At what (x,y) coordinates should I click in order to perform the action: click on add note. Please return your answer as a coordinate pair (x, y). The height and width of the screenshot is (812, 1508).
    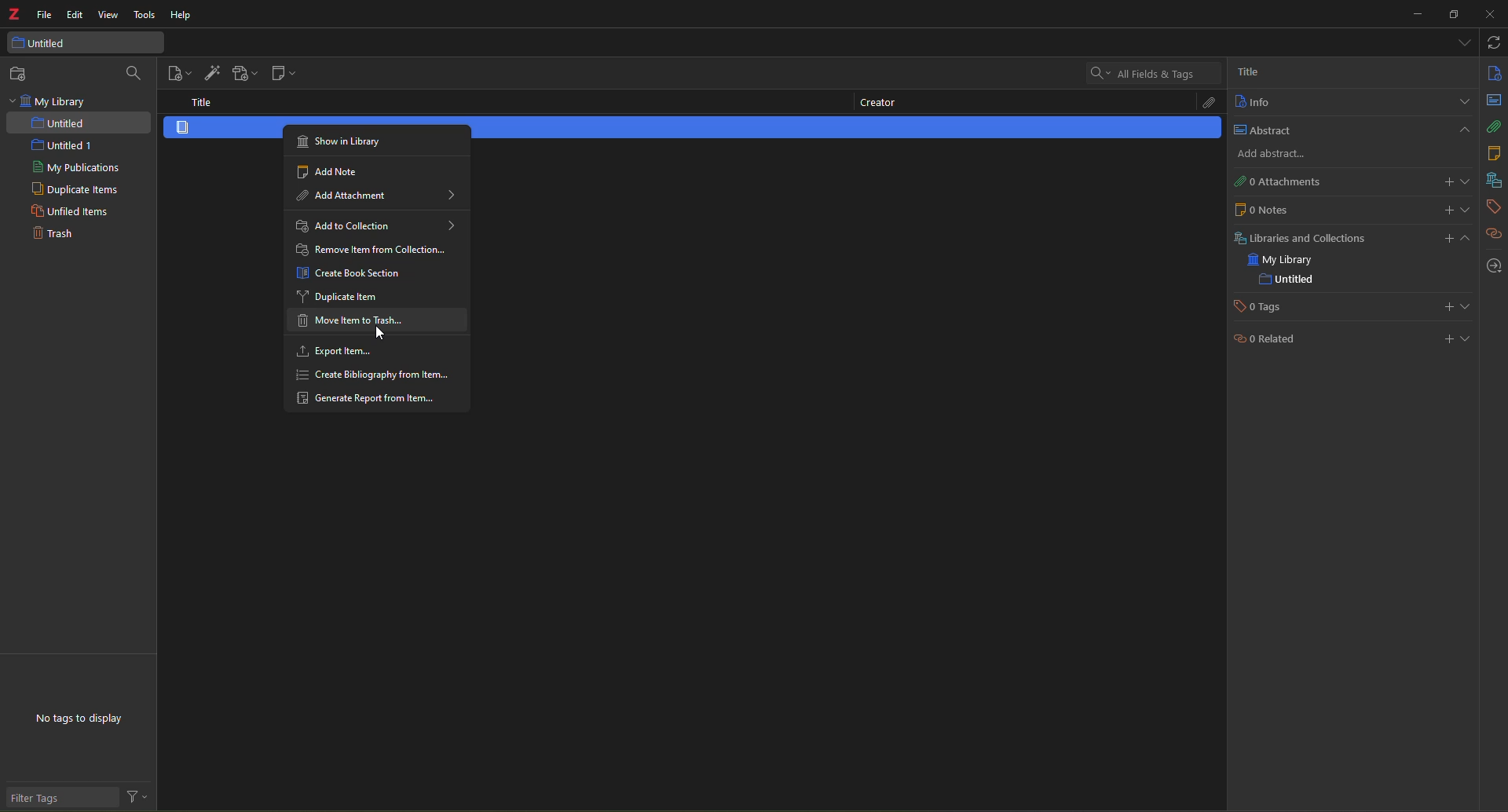
    Looking at the image, I should click on (338, 170).